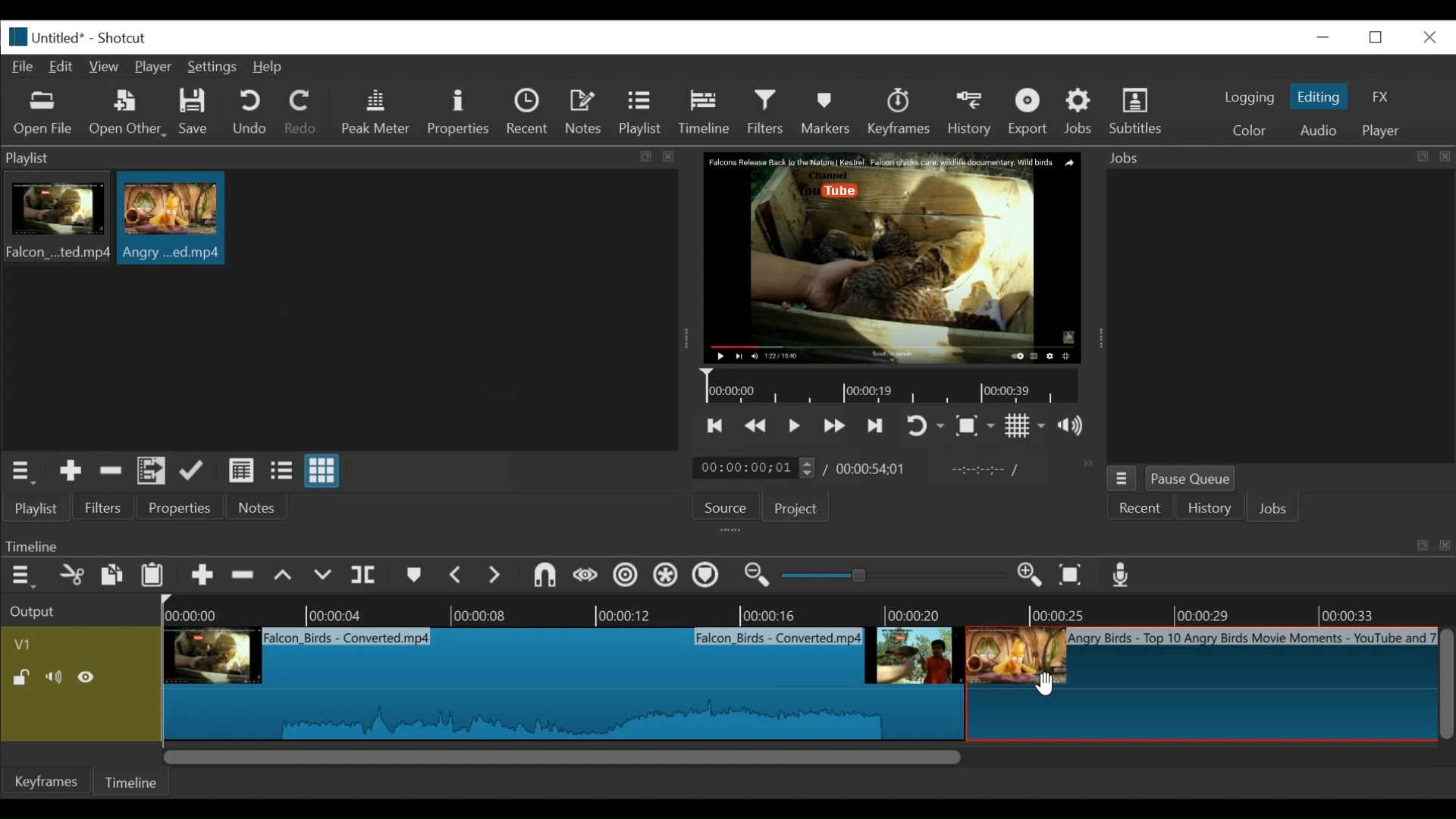 The height and width of the screenshot is (819, 1456). Describe the element at coordinates (715, 426) in the screenshot. I see `skip to the previous point` at that location.